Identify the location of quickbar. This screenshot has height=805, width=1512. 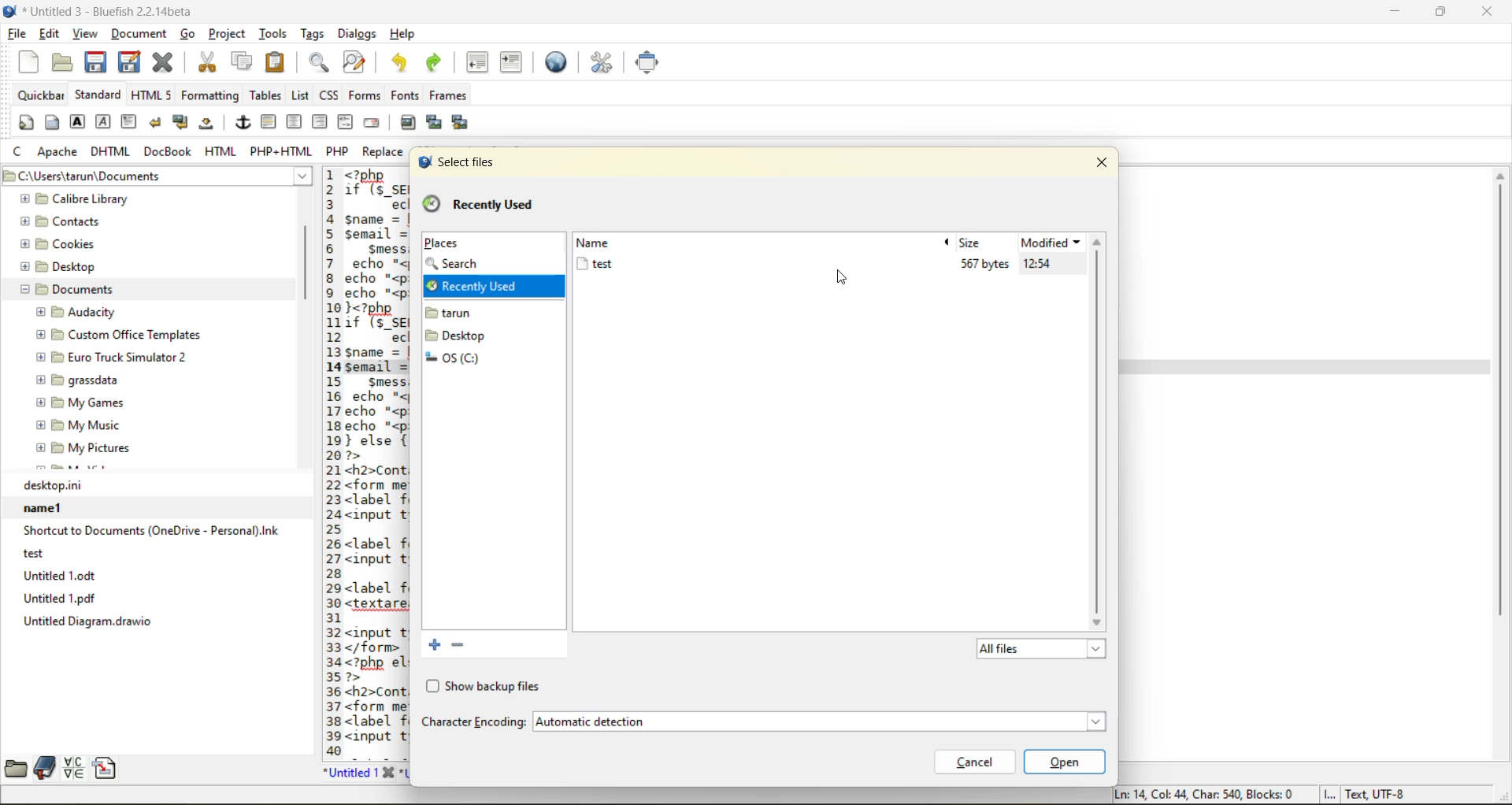
(40, 95).